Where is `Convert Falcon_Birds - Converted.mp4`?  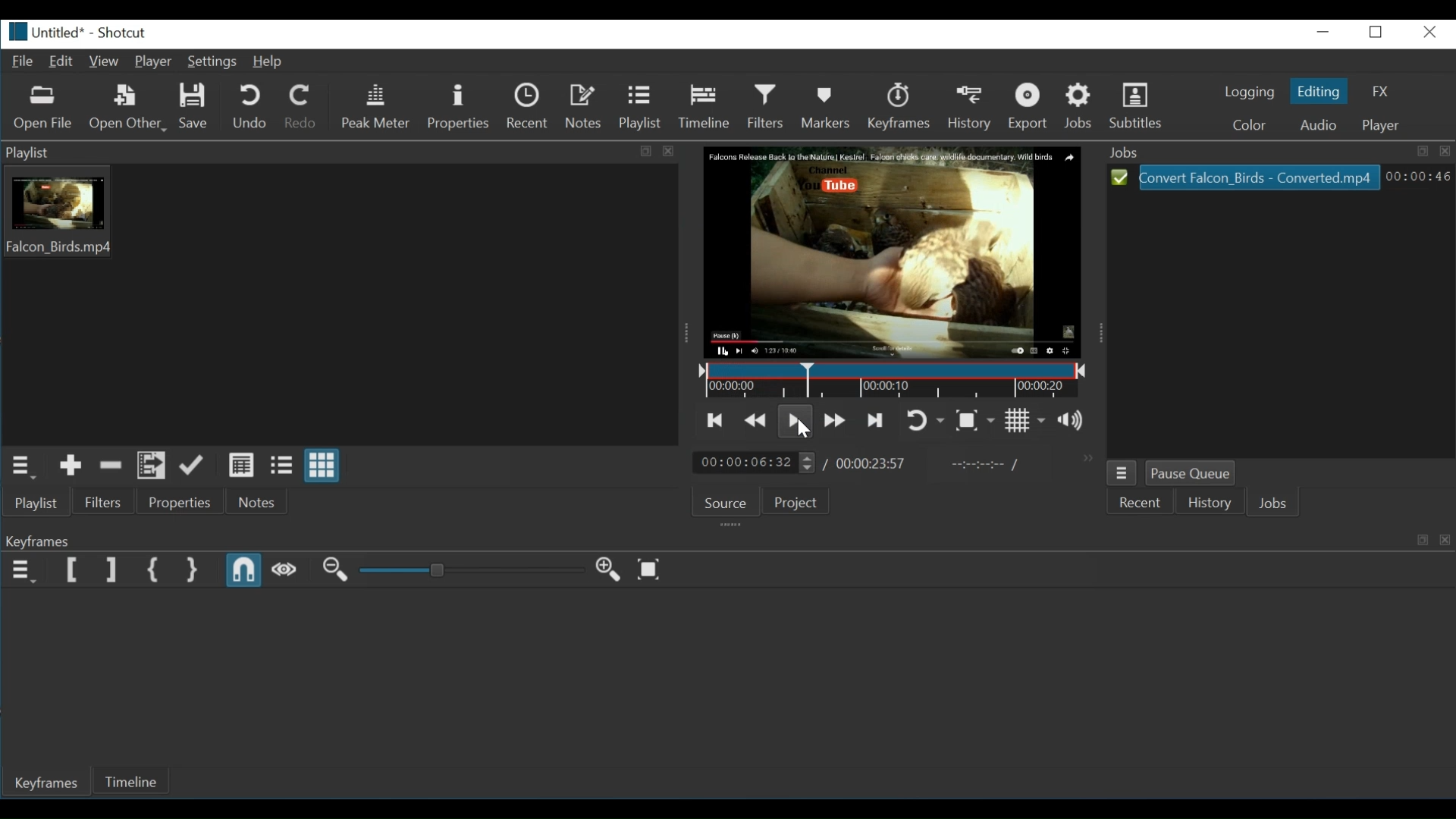 Convert Falcon_Birds - Converted.mp4 is located at coordinates (1246, 177).